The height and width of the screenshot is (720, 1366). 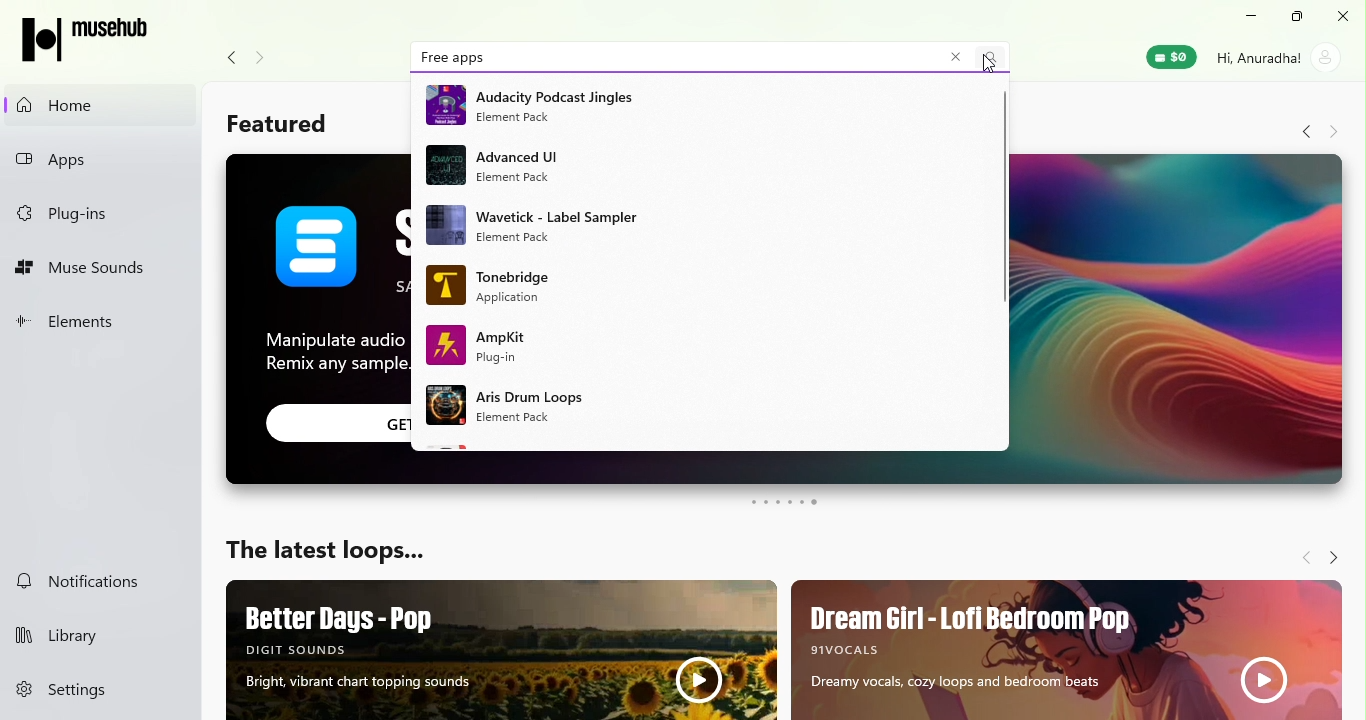 What do you see at coordinates (1252, 16) in the screenshot?
I see `Minimize` at bounding box center [1252, 16].